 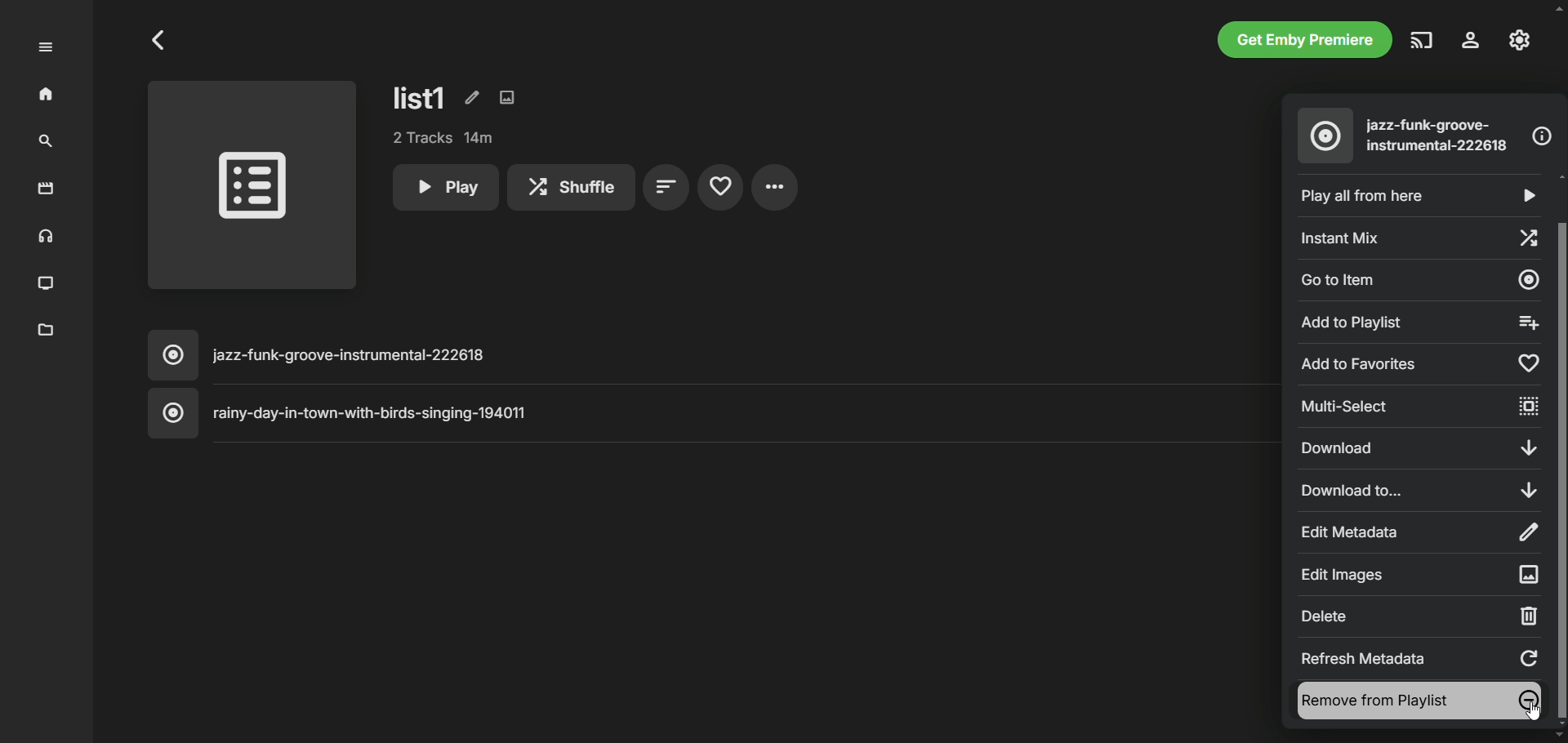 I want to click on tracks, so click(x=444, y=138).